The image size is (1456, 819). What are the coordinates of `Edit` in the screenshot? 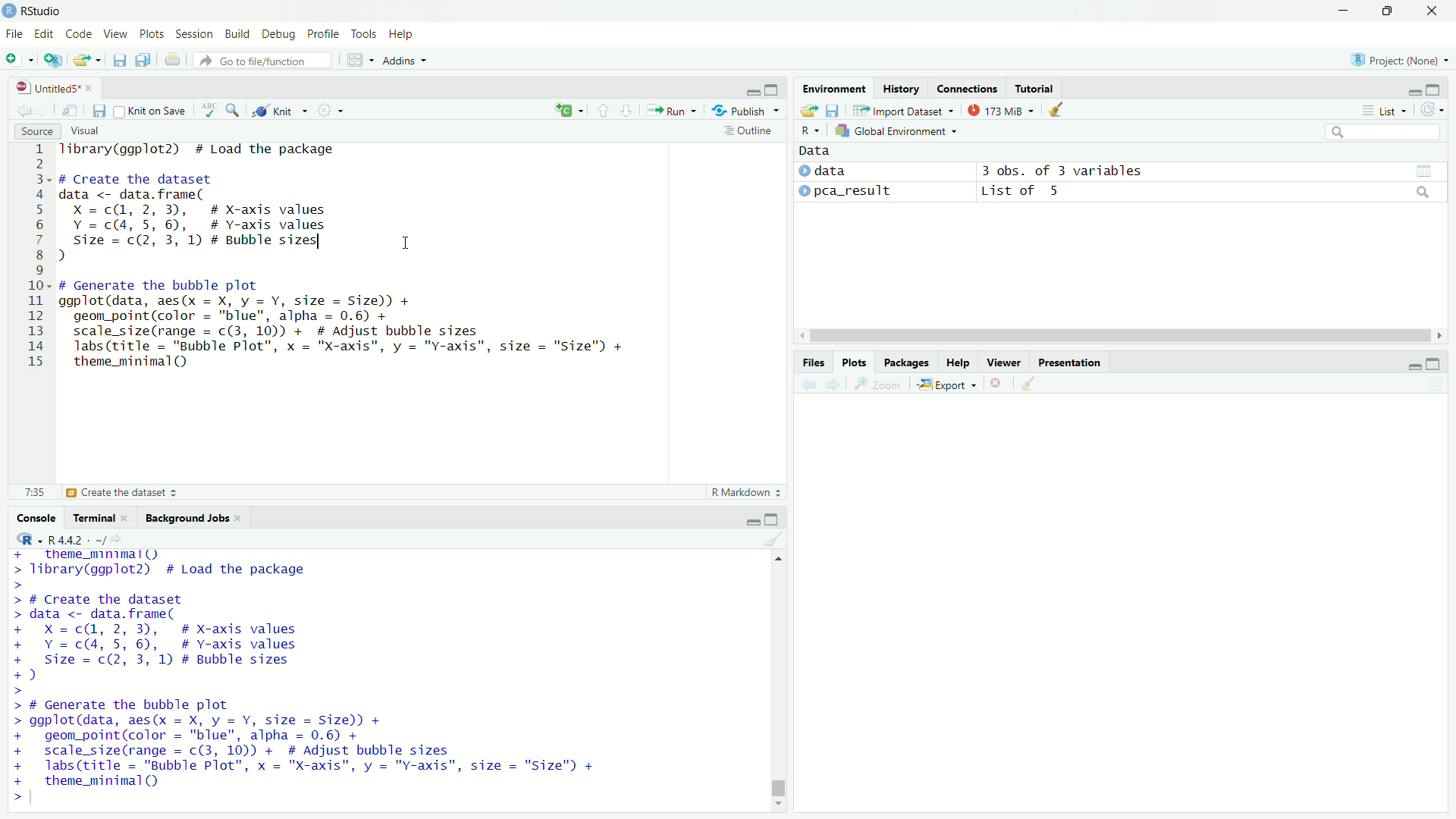 It's located at (46, 35).